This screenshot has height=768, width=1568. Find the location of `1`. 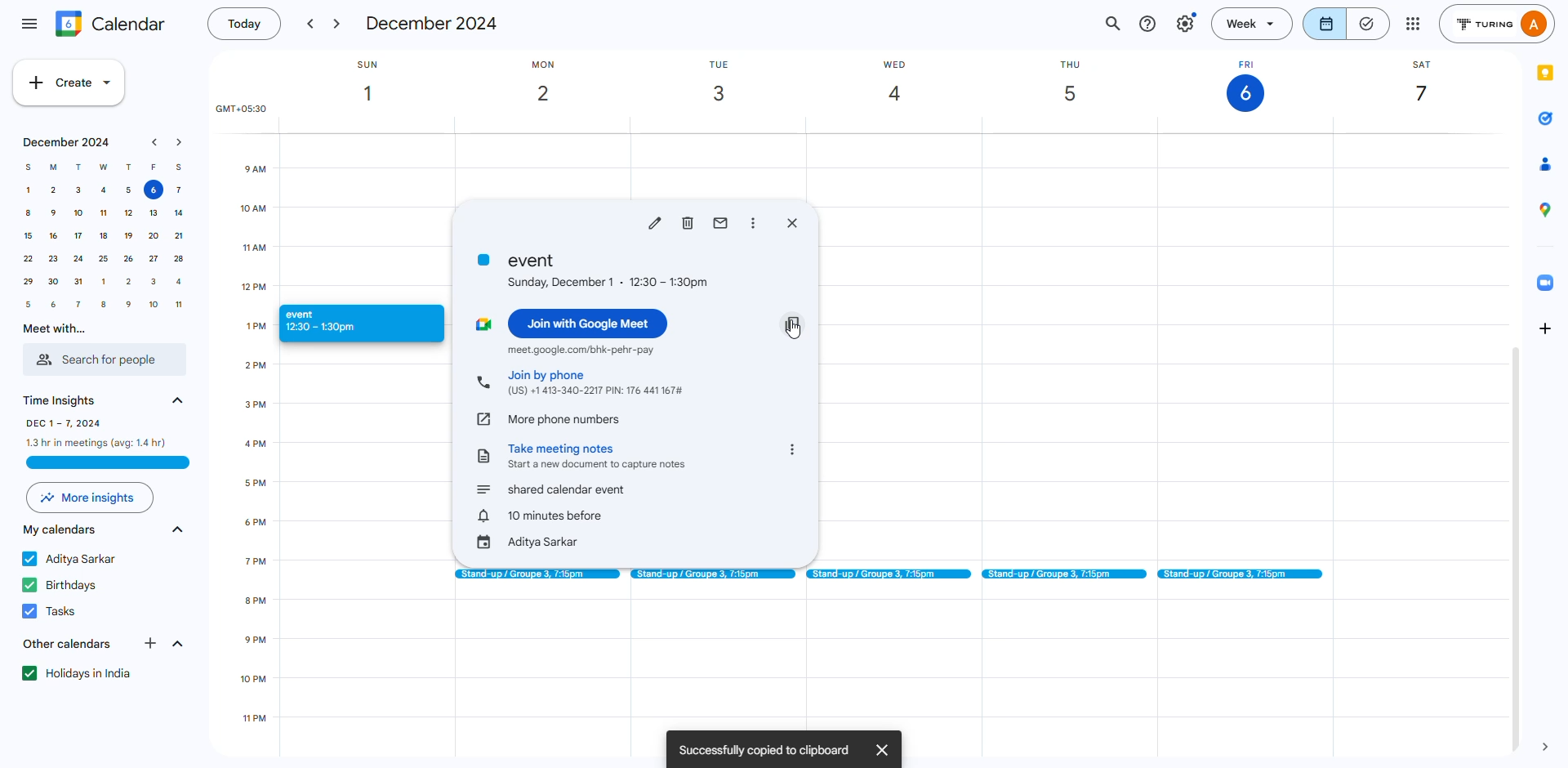

1 is located at coordinates (29, 190).